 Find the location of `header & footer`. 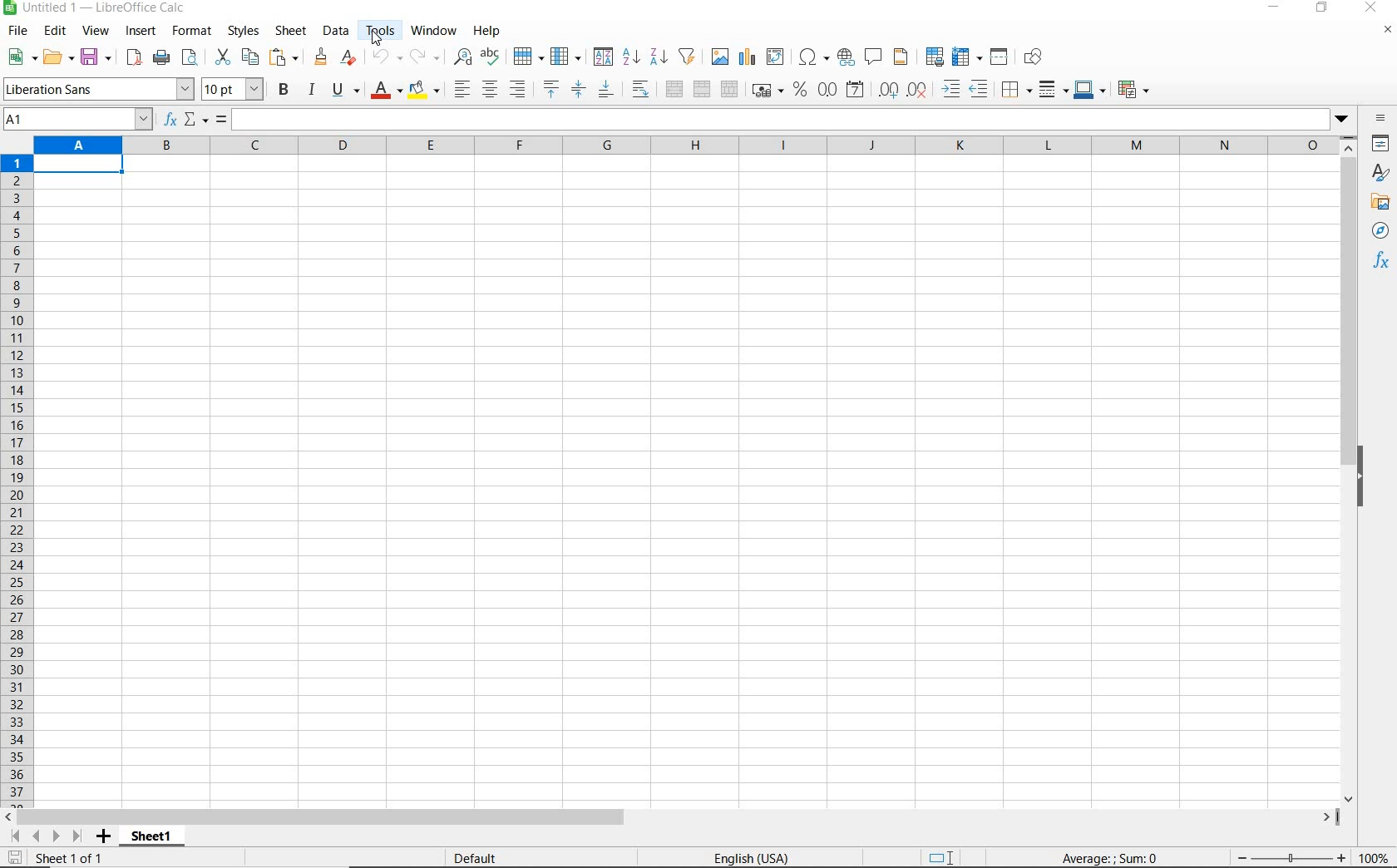

header & footer is located at coordinates (903, 57).